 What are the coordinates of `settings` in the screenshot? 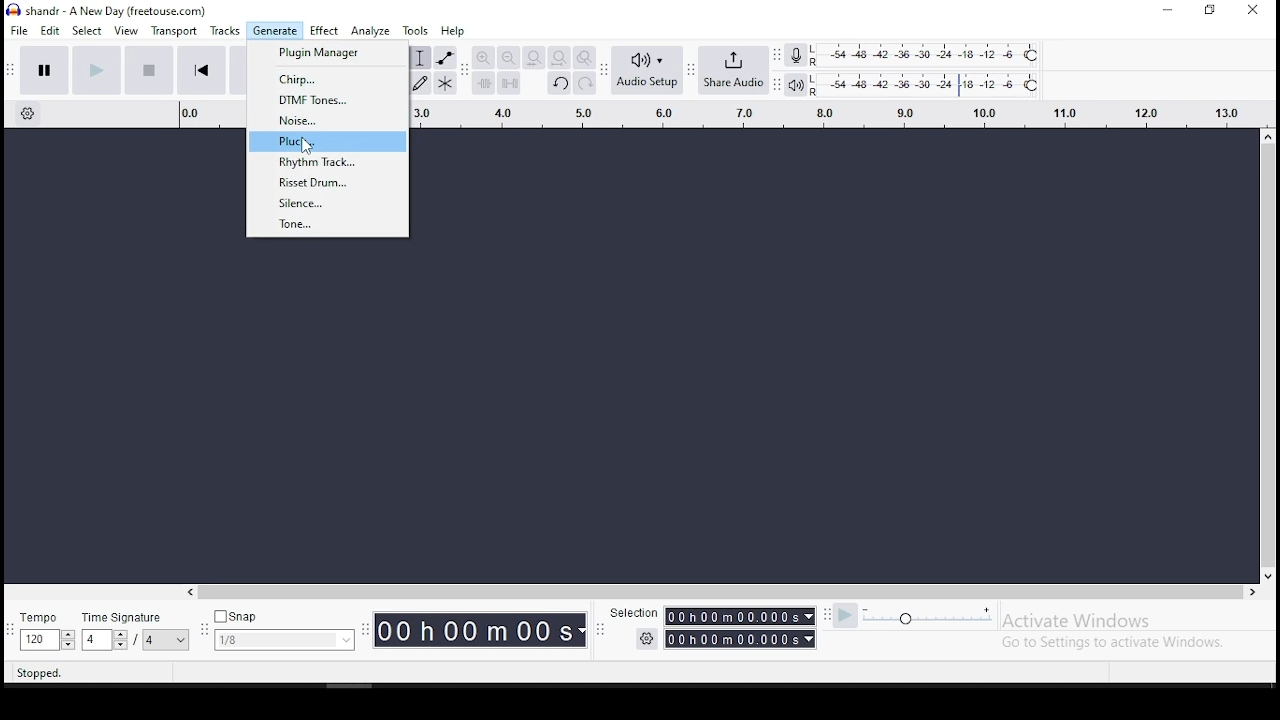 It's located at (647, 639).